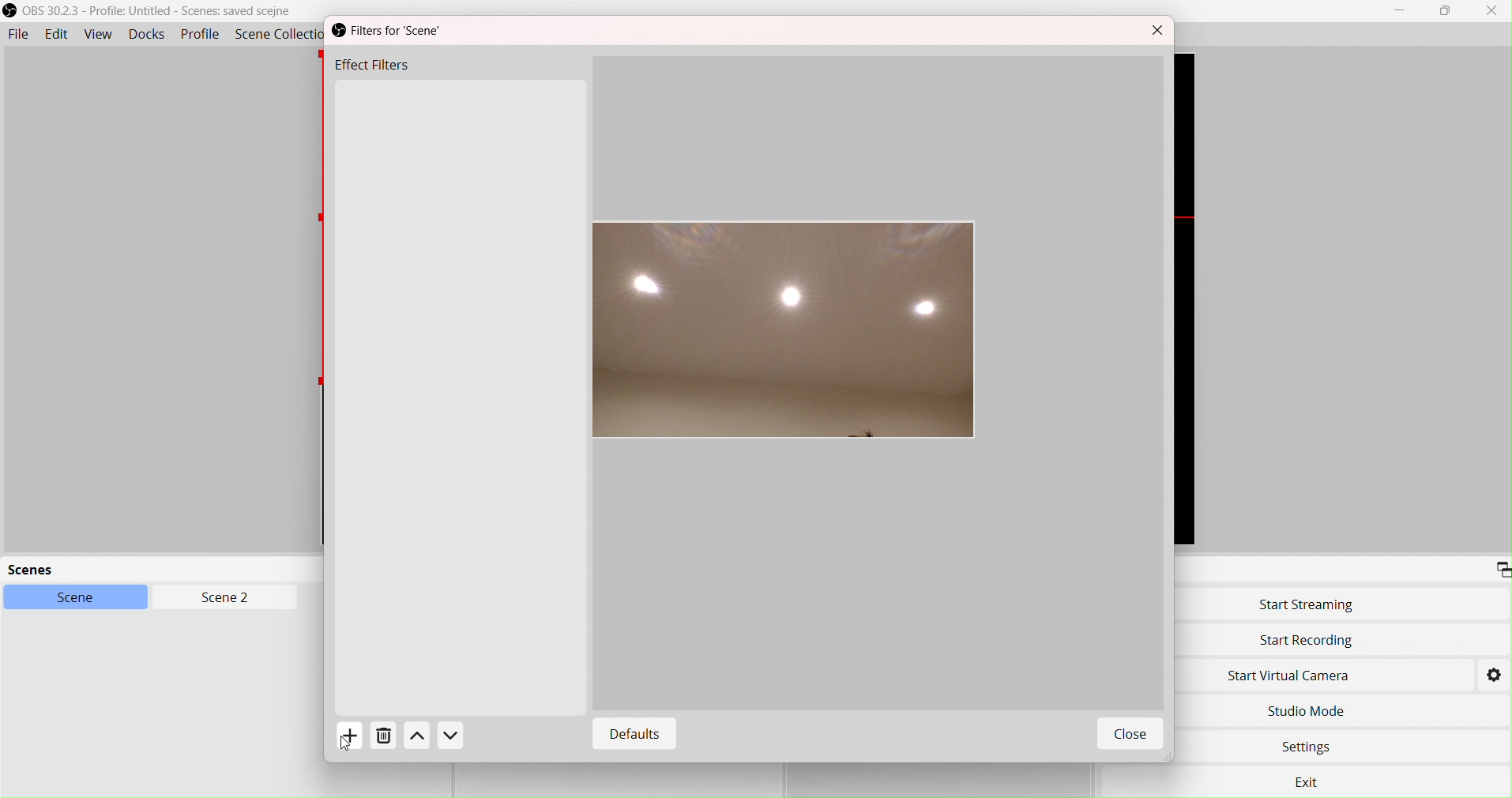  What do you see at coordinates (630, 735) in the screenshot?
I see `Defaults` at bounding box center [630, 735].